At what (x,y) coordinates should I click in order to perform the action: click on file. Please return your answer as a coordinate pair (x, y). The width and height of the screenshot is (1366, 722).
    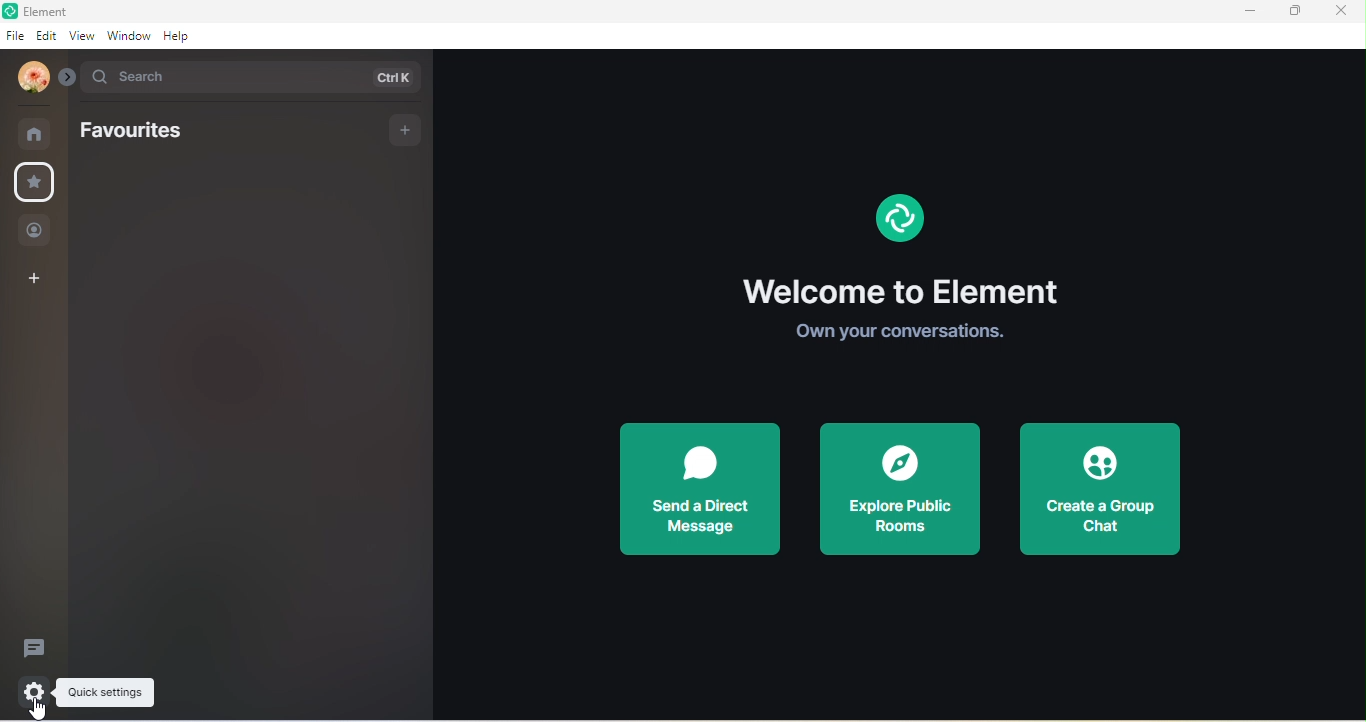
    Looking at the image, I should click on (14, 35).